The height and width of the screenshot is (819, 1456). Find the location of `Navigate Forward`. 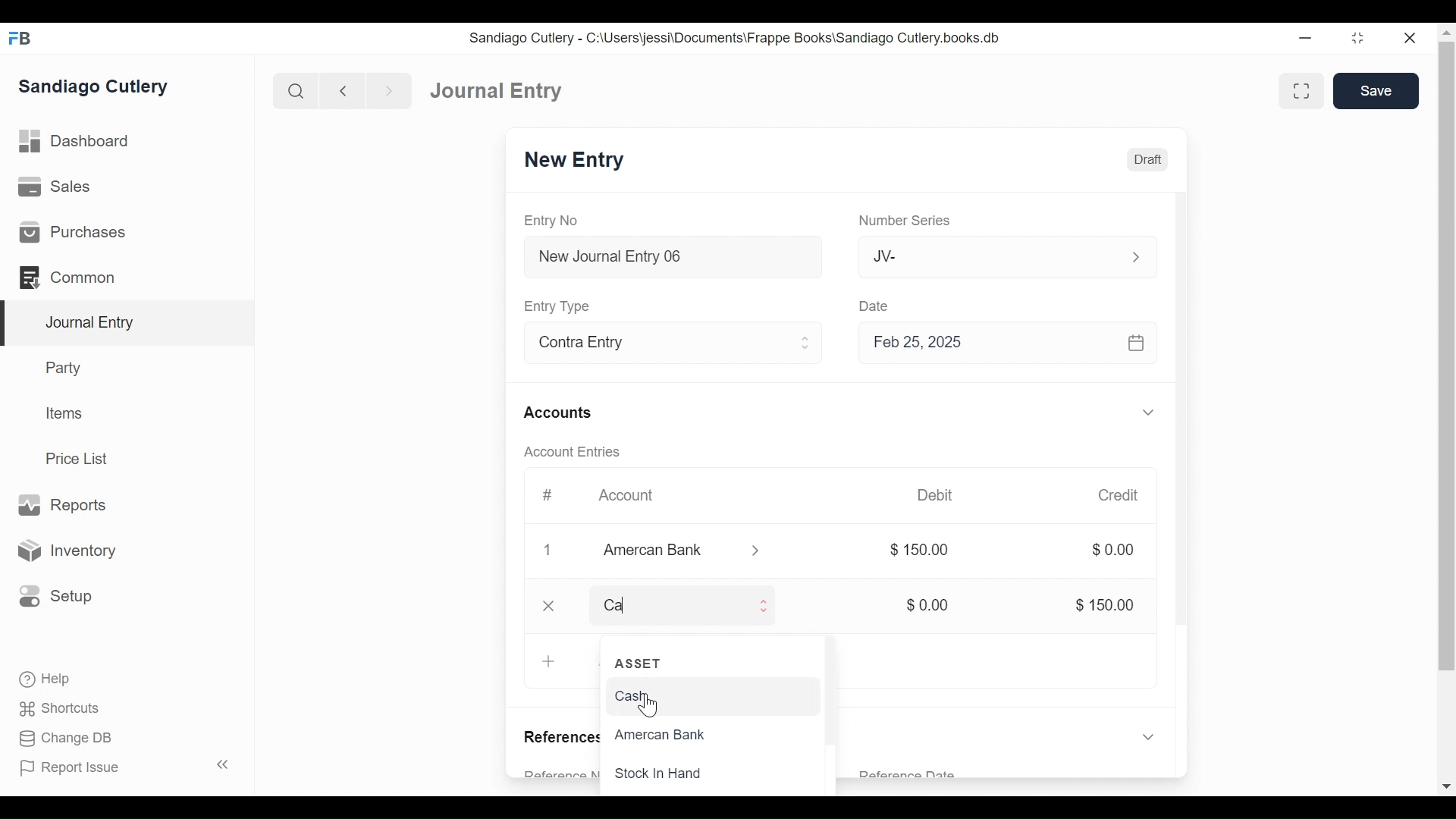

Navigate Forward is located at coordinates (390, 92).